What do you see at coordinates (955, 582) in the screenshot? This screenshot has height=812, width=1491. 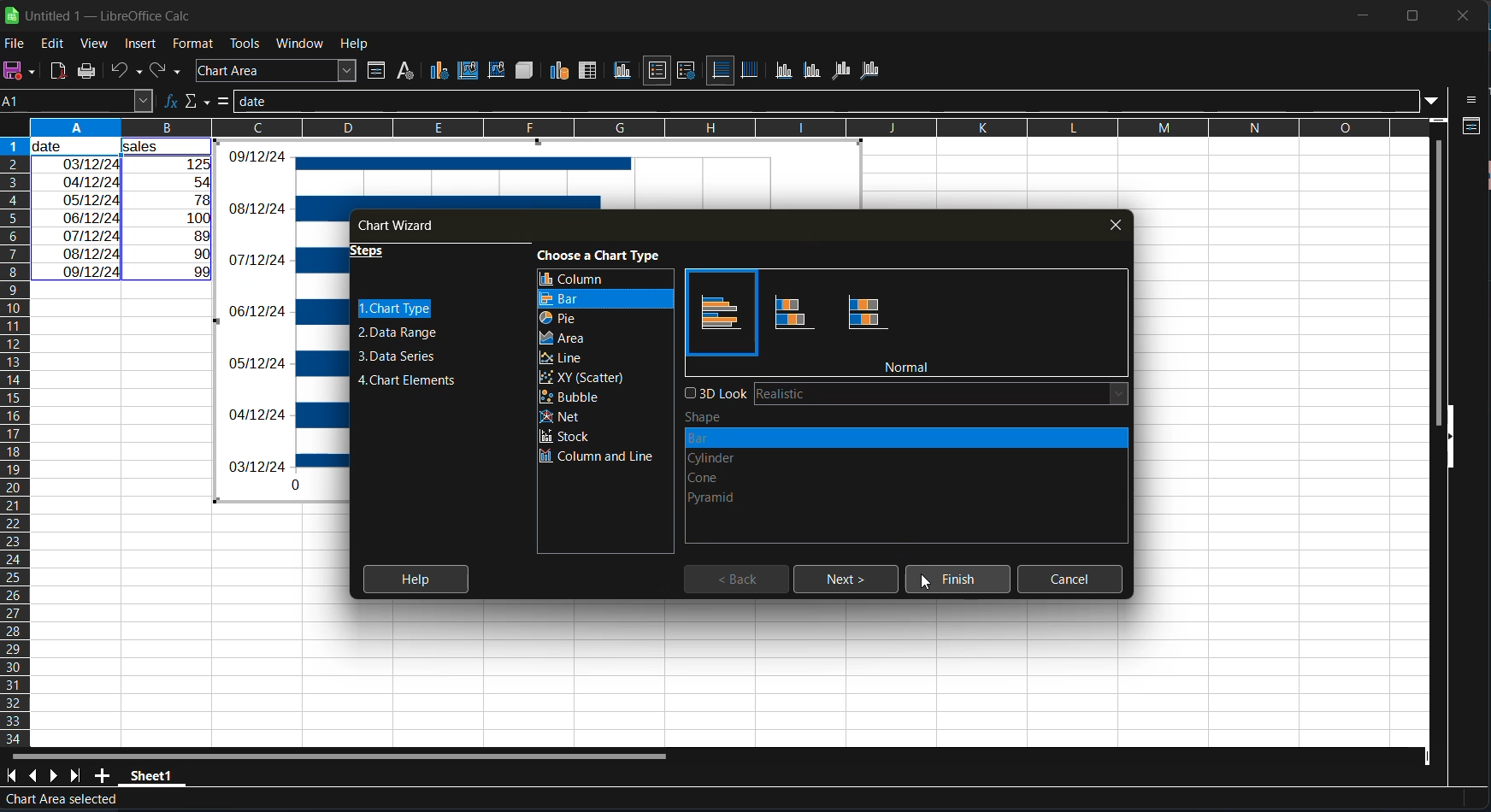 I see `finish` at bounding box center [955, 582].